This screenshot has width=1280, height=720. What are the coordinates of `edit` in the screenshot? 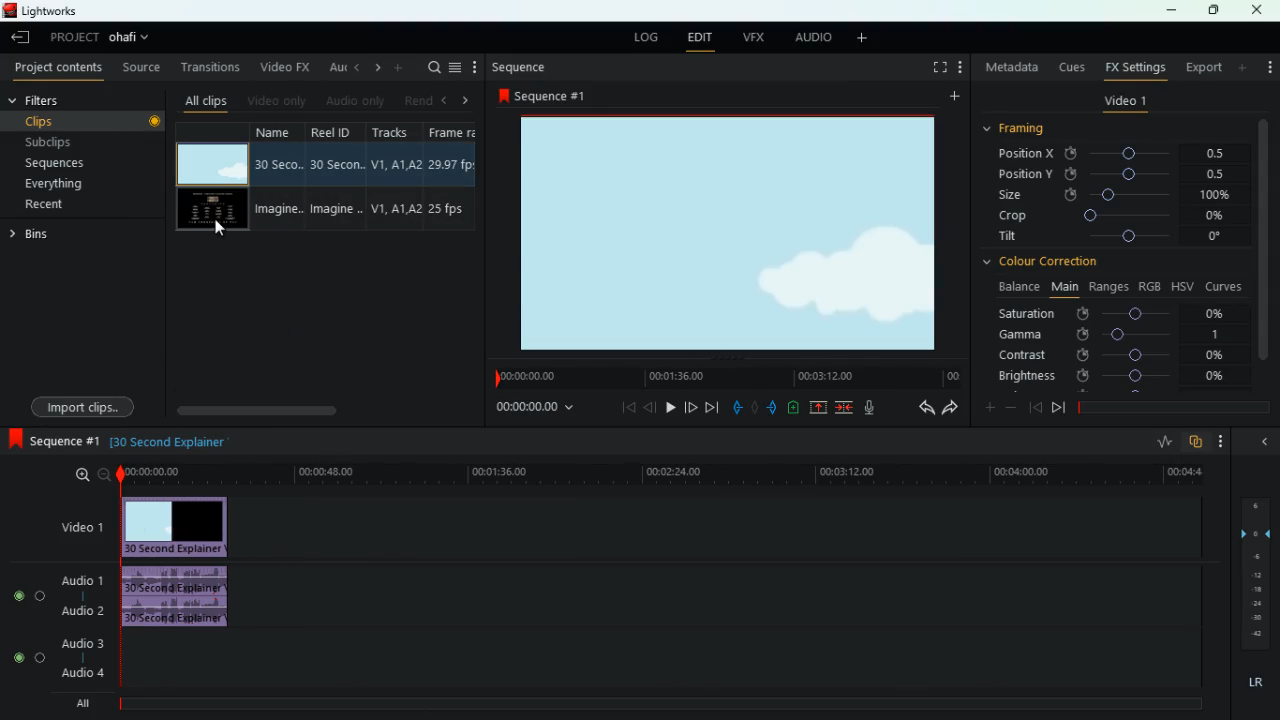 It's located at (699, 39).